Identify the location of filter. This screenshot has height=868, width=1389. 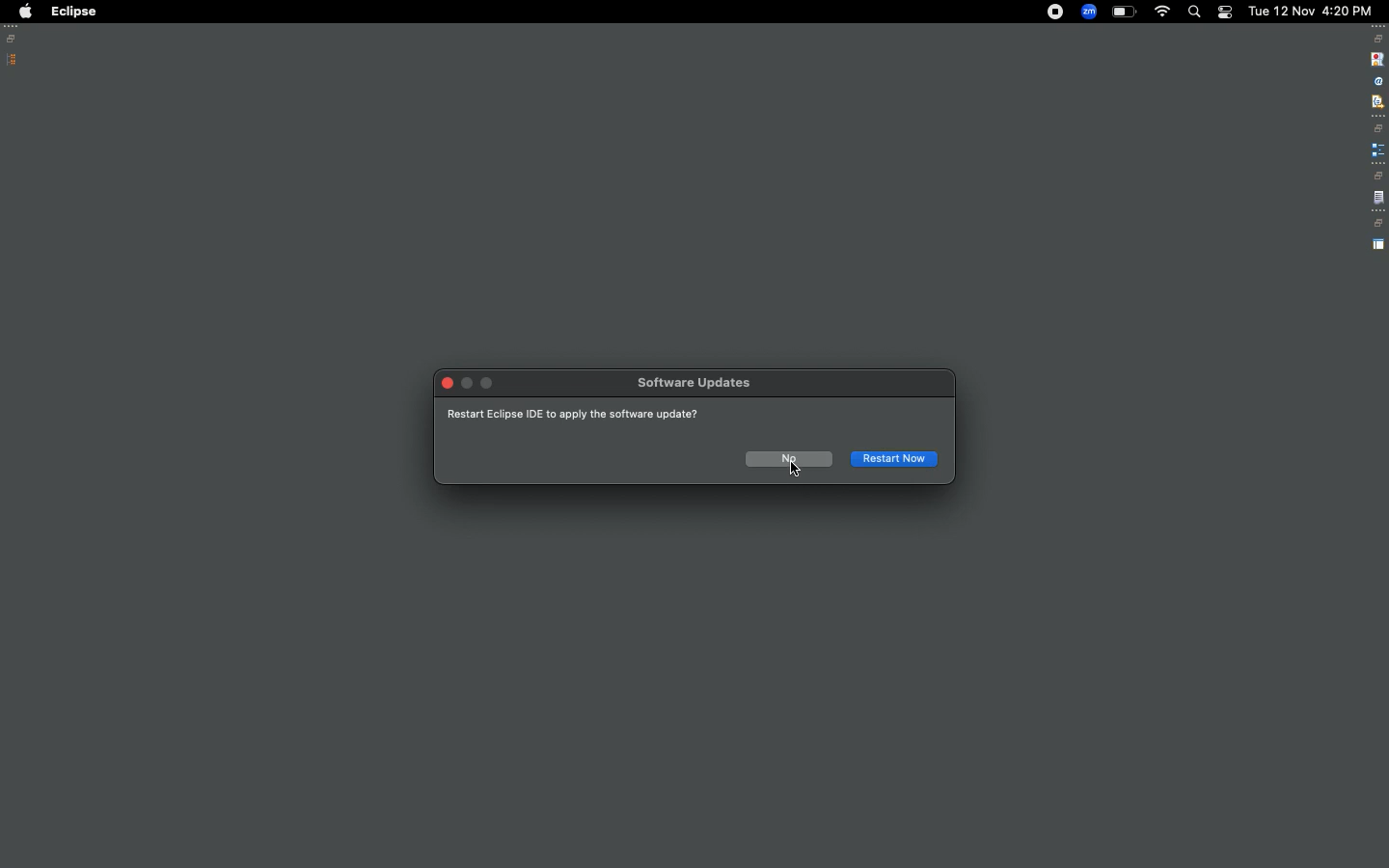
(1376, 101).